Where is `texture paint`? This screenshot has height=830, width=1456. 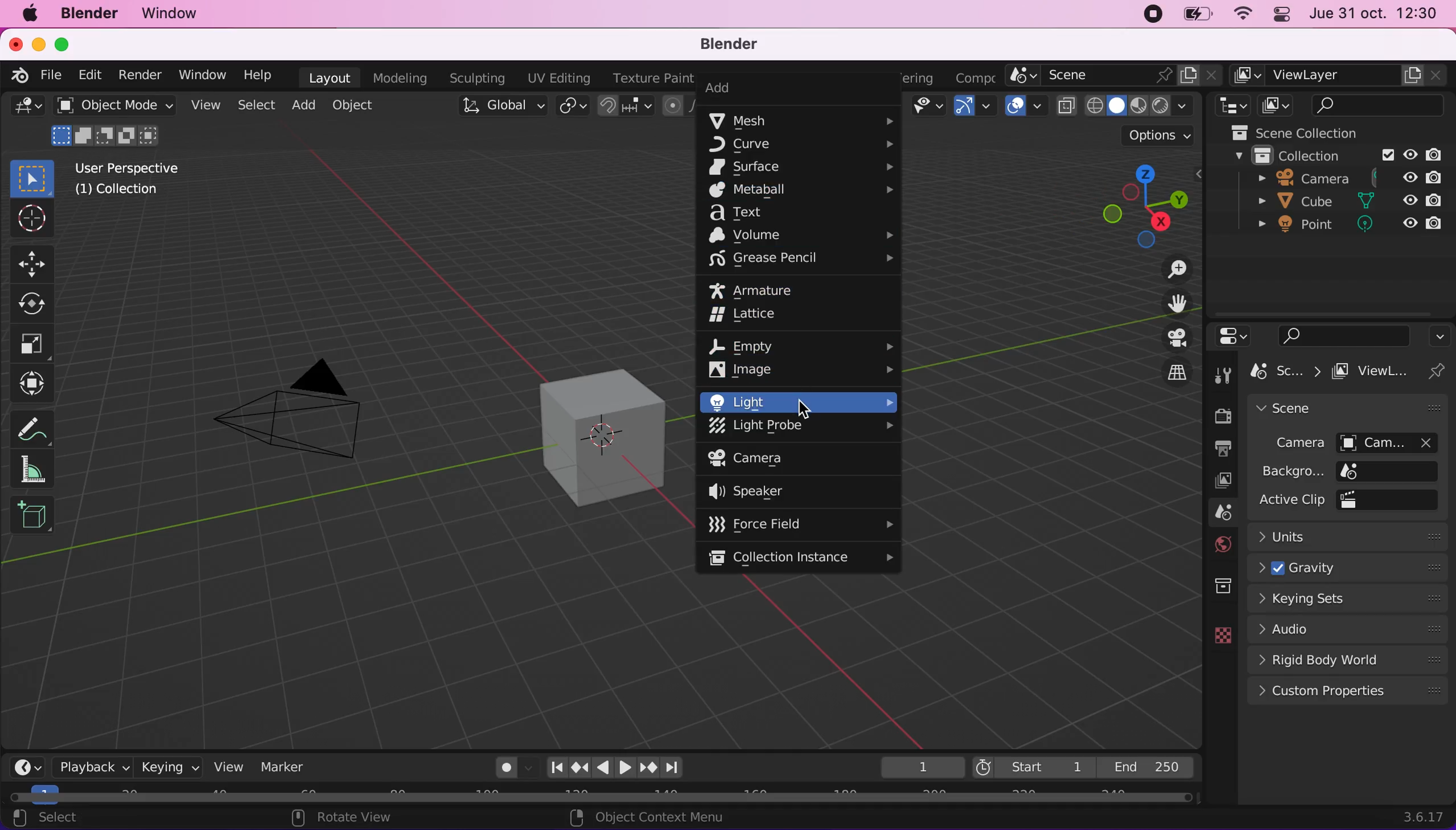
texture paint is located at coordinates (649, 78).